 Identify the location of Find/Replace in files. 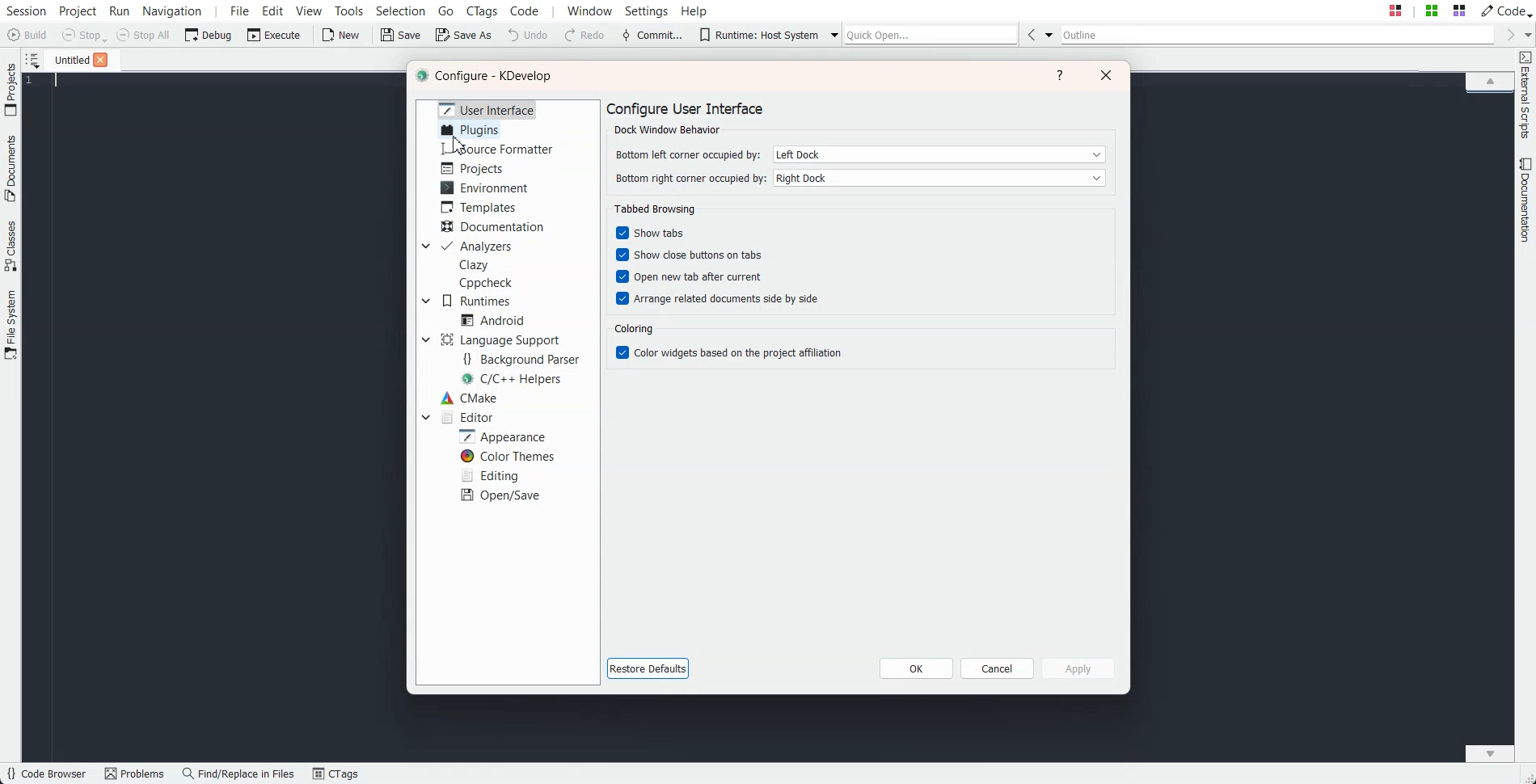
(239, 773).